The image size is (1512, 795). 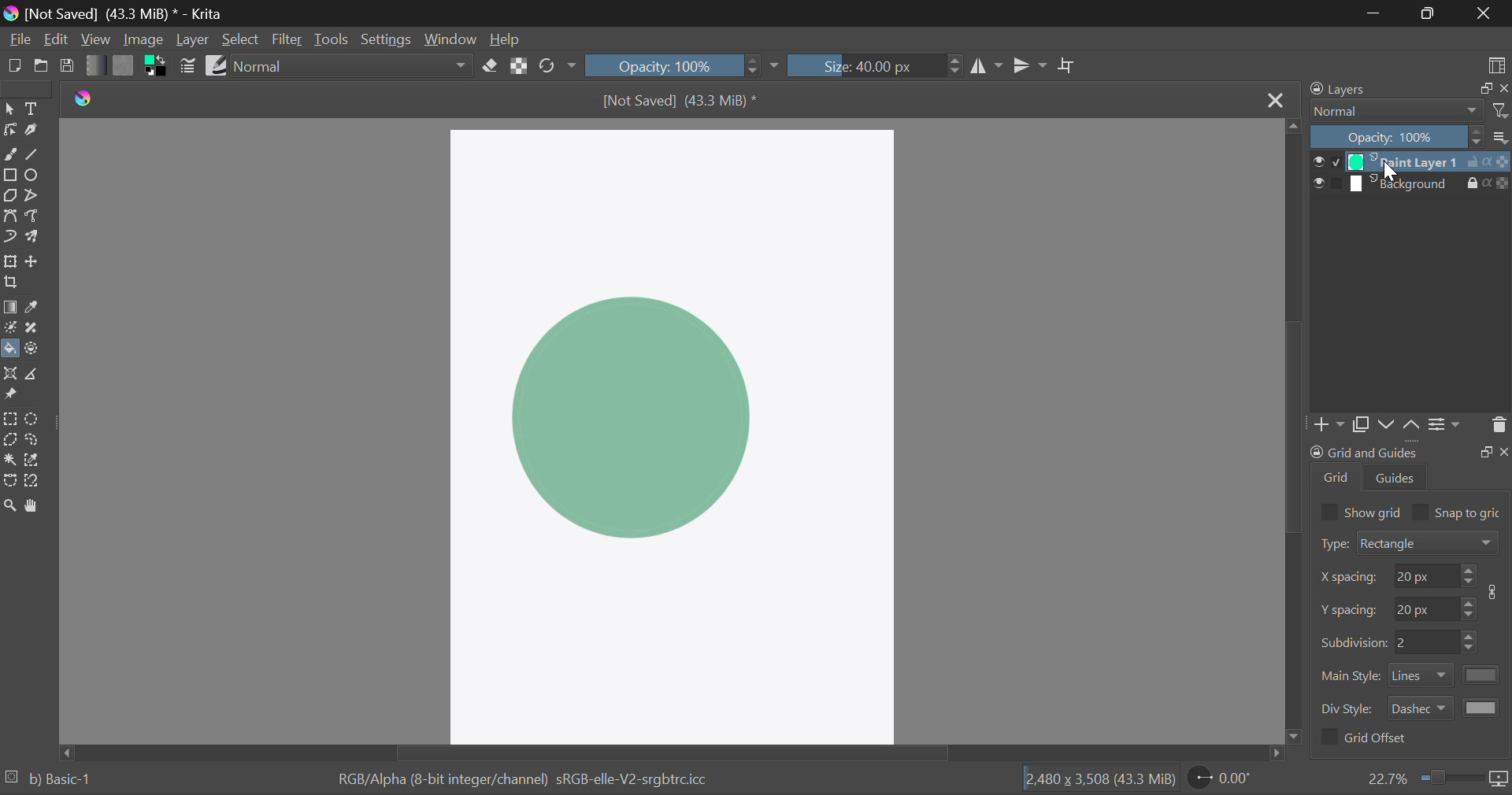 What do you see at coordinates (9, 419) in the screenshot?
I see `Rectangular Selection` at bounding box center [9, 419].